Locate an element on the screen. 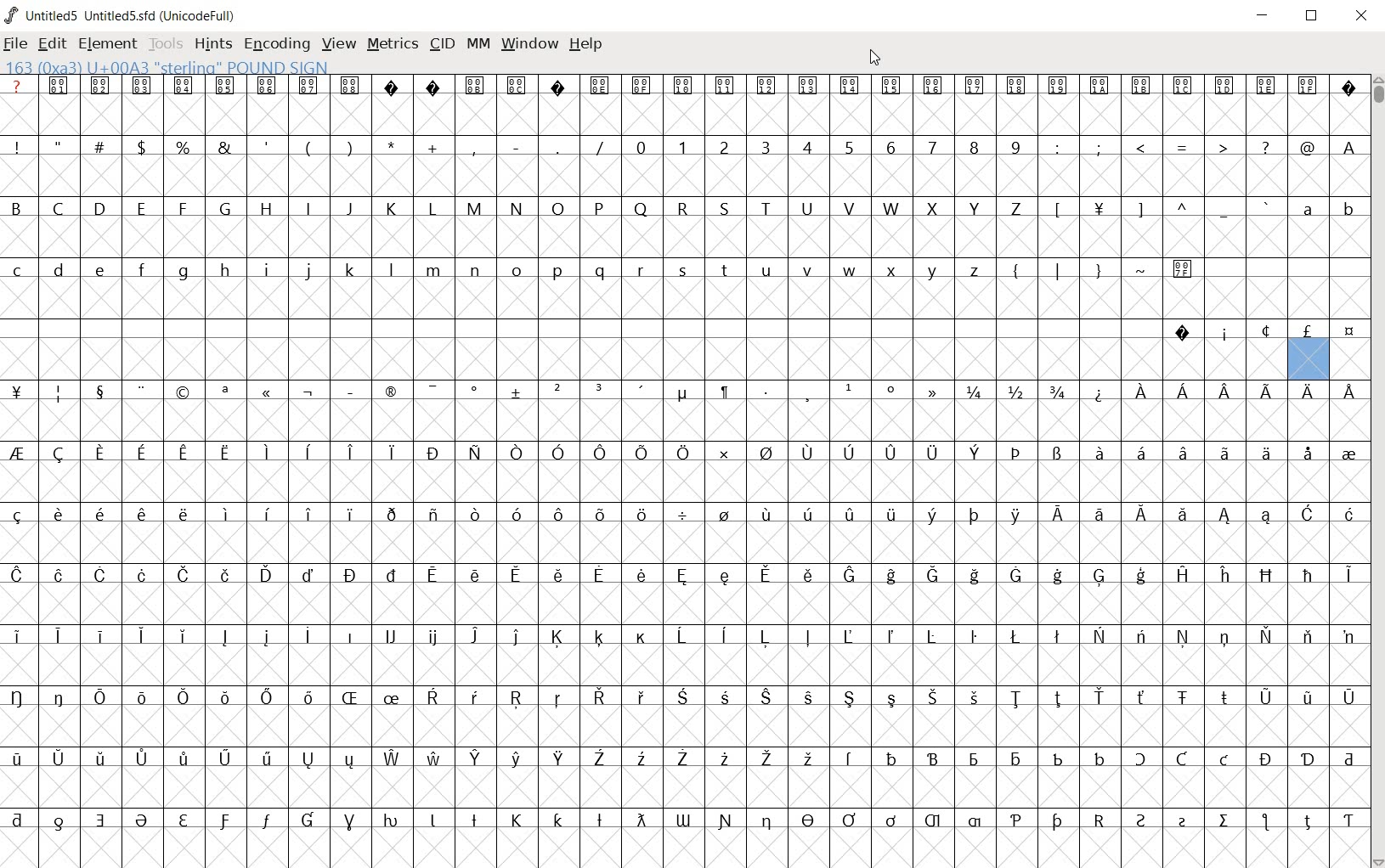 Image resolution: width=1385 pixels, height=868 pixels. [ is located at coordinates (1055, 211).